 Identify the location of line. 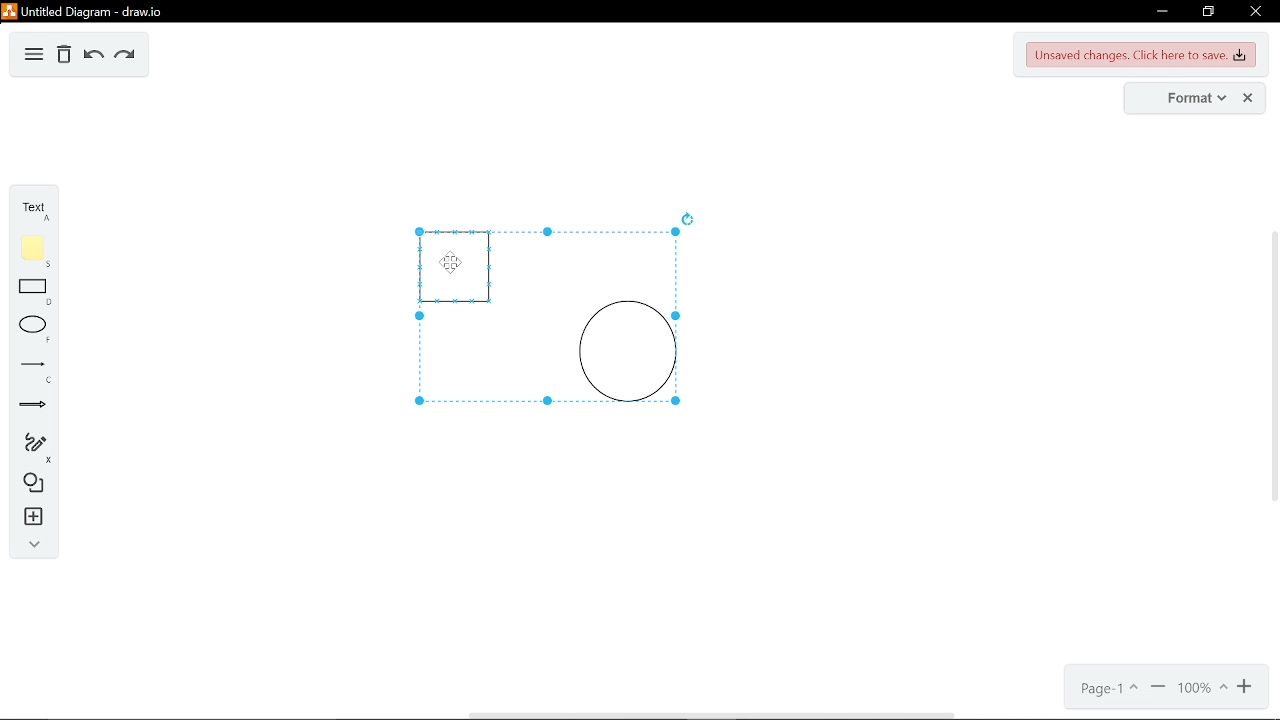
(32, 370).